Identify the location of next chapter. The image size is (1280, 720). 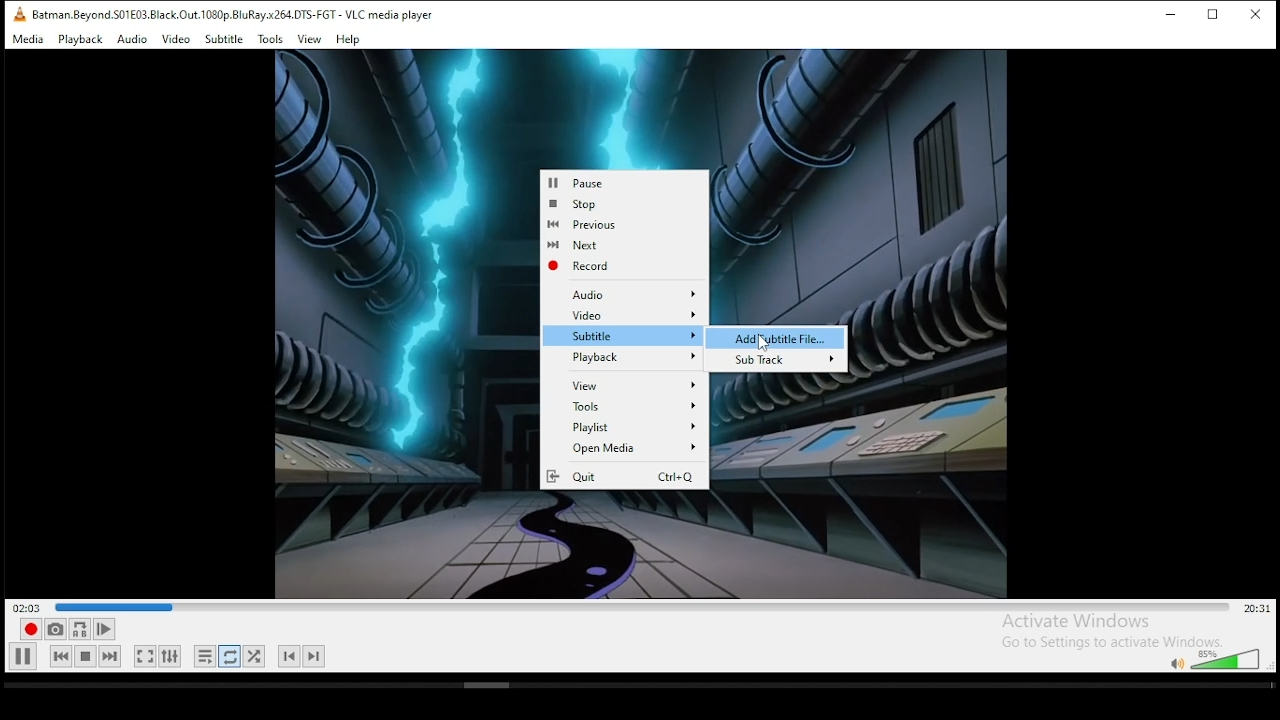
(315, 656).